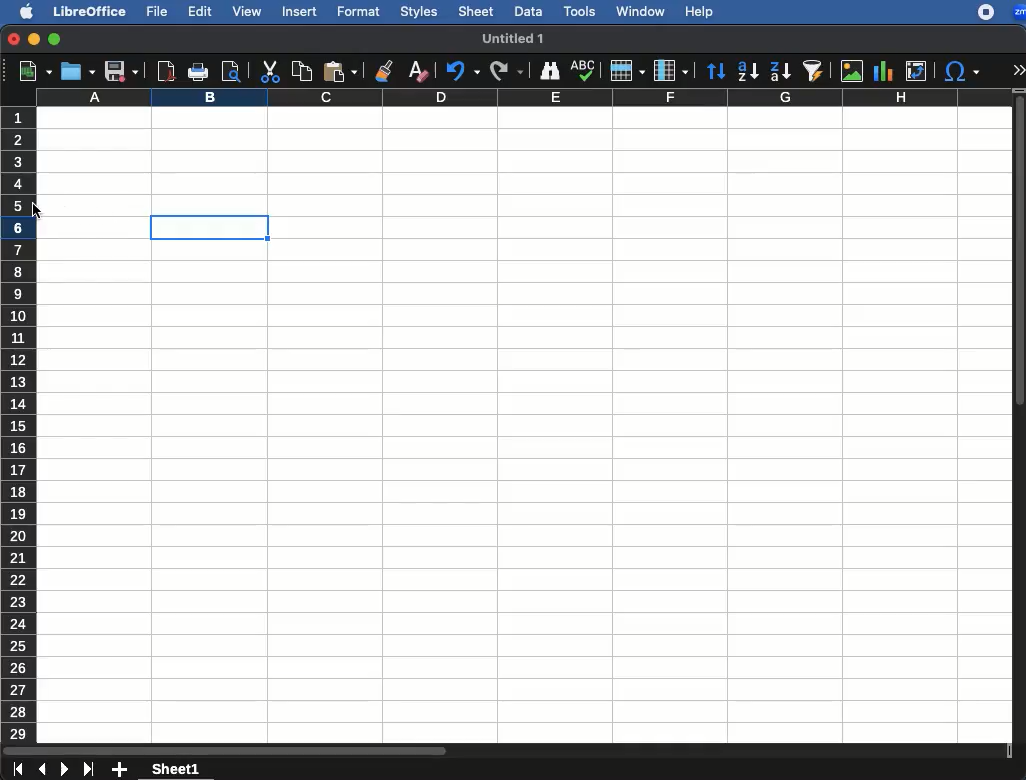 This screenshot has height=780, width=1026. I want to click on image, so click(852, 71).